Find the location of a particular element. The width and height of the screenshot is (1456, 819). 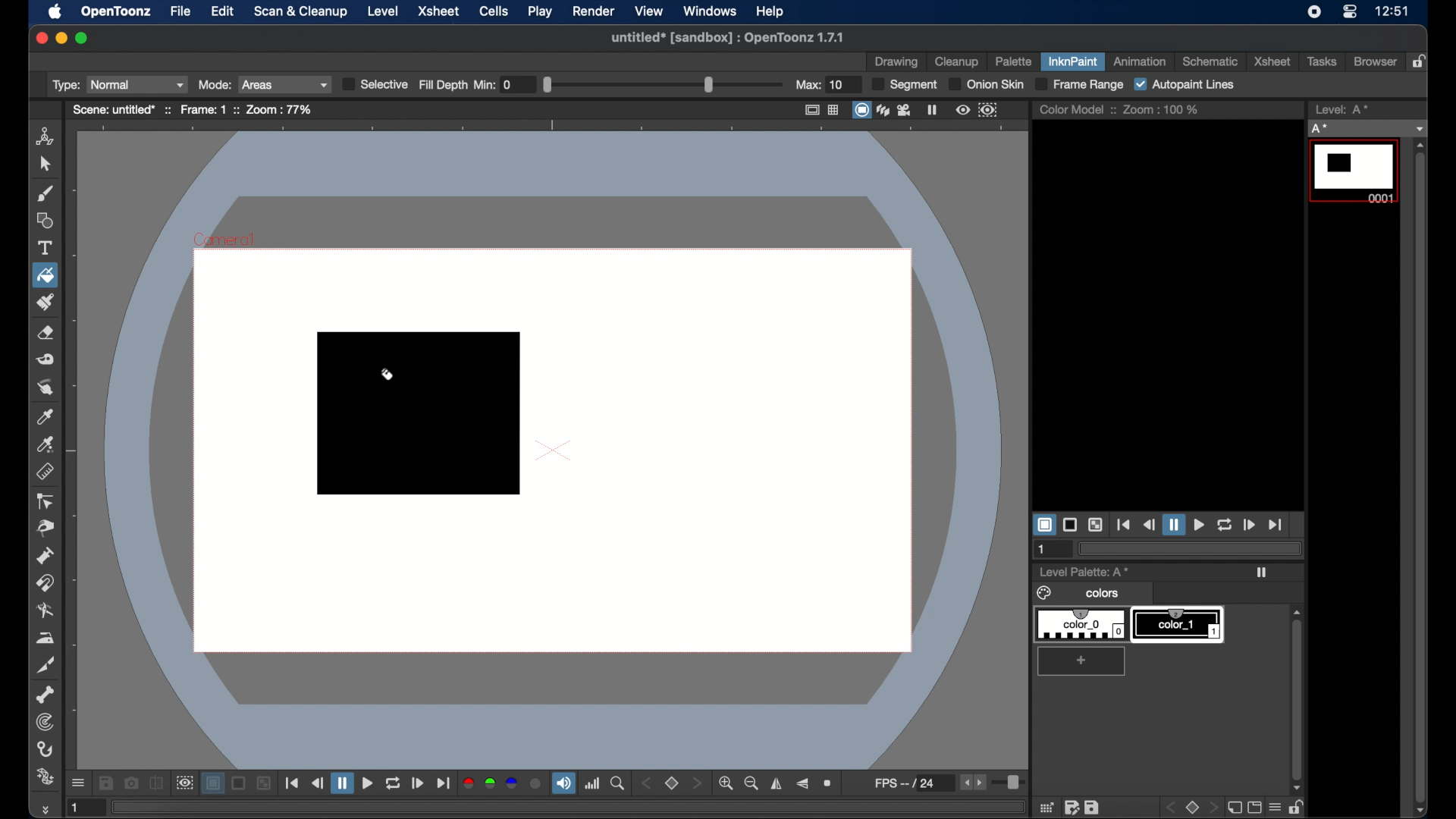

lock rooms table is located at coordinates (1421, 61).